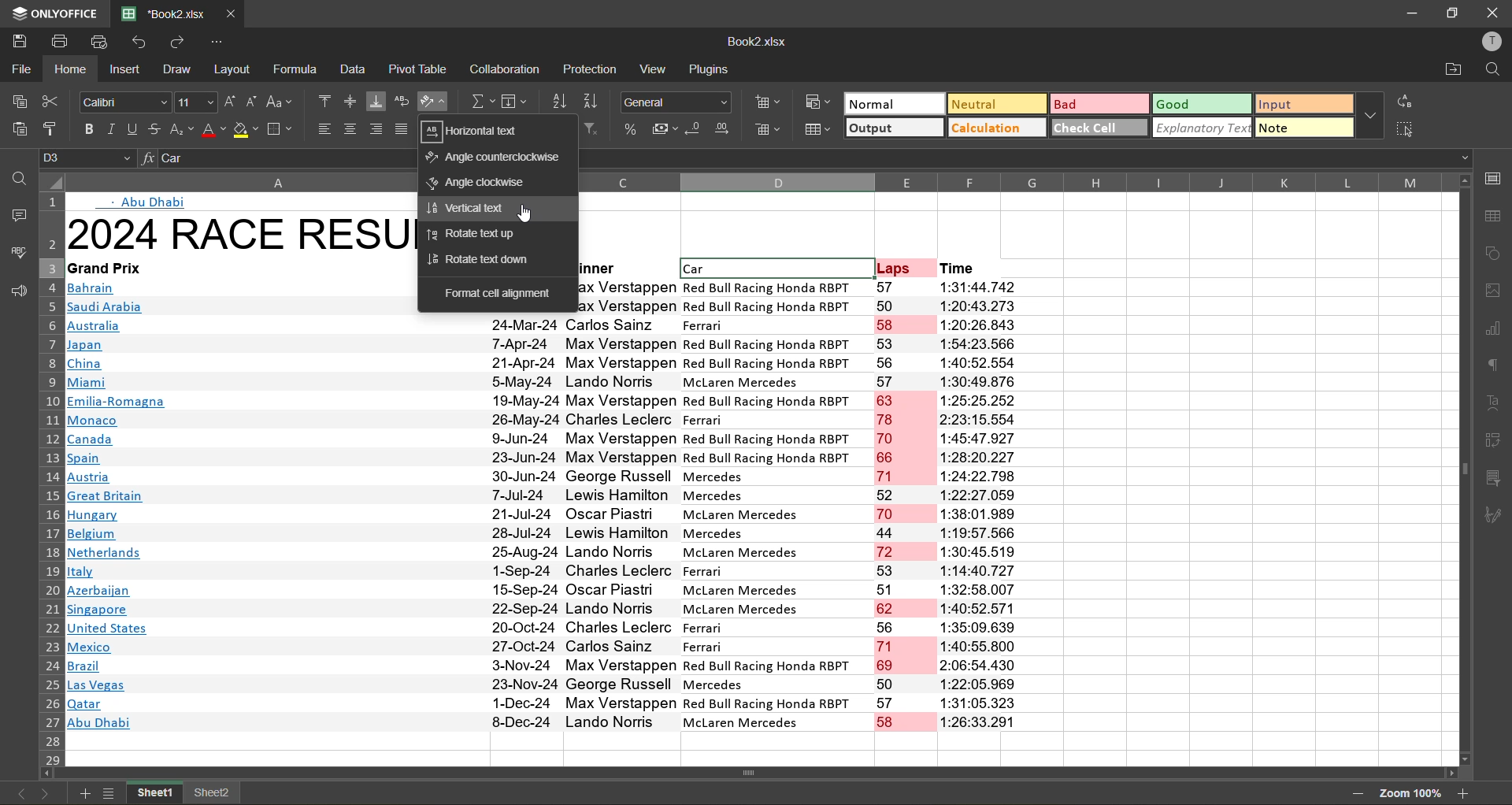  Describe the element at coordinates (1099, 105) in the screenshot. I see `bad` at that location.